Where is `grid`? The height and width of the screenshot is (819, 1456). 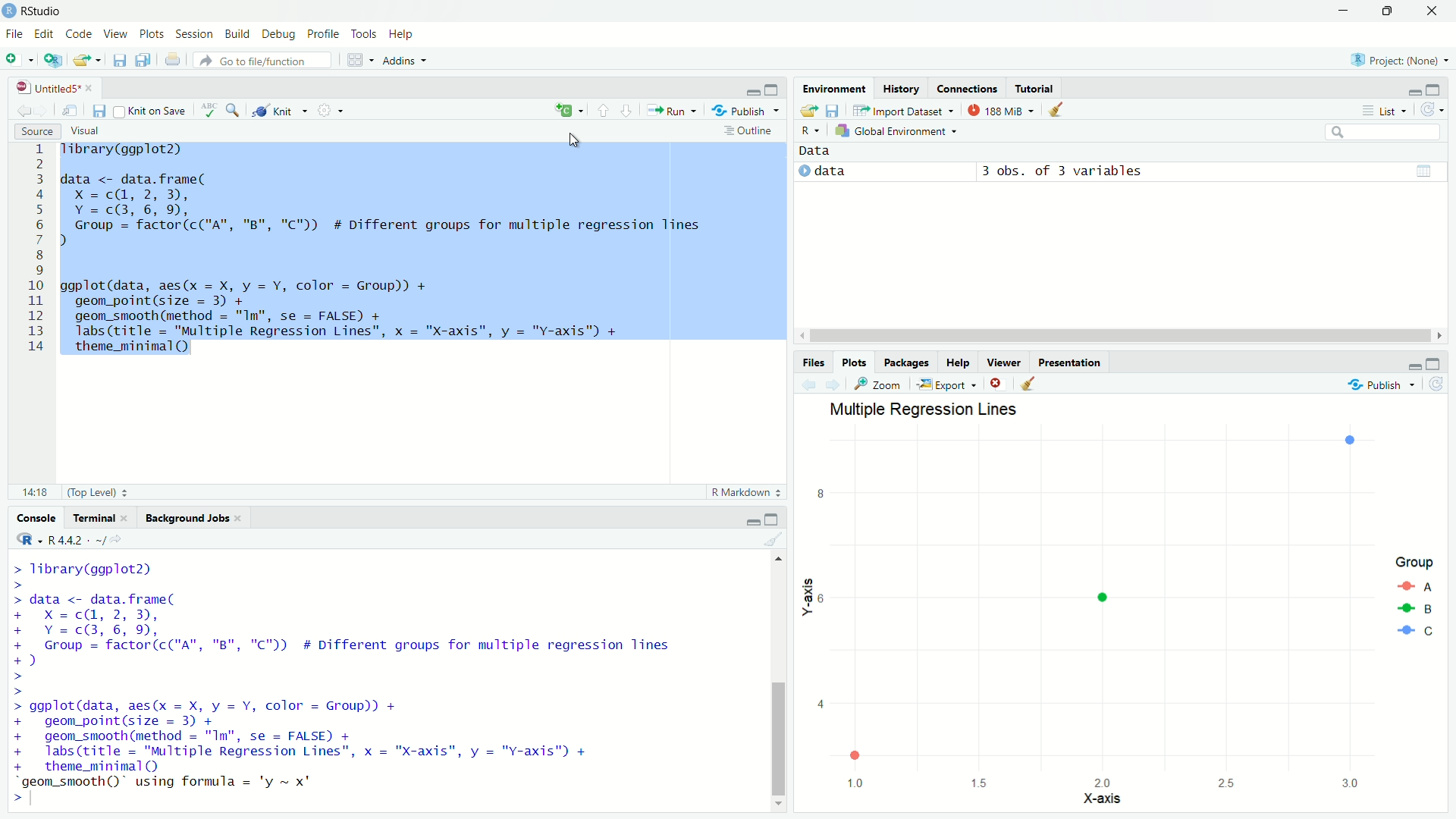
grid is located at coordinates (357, 61).